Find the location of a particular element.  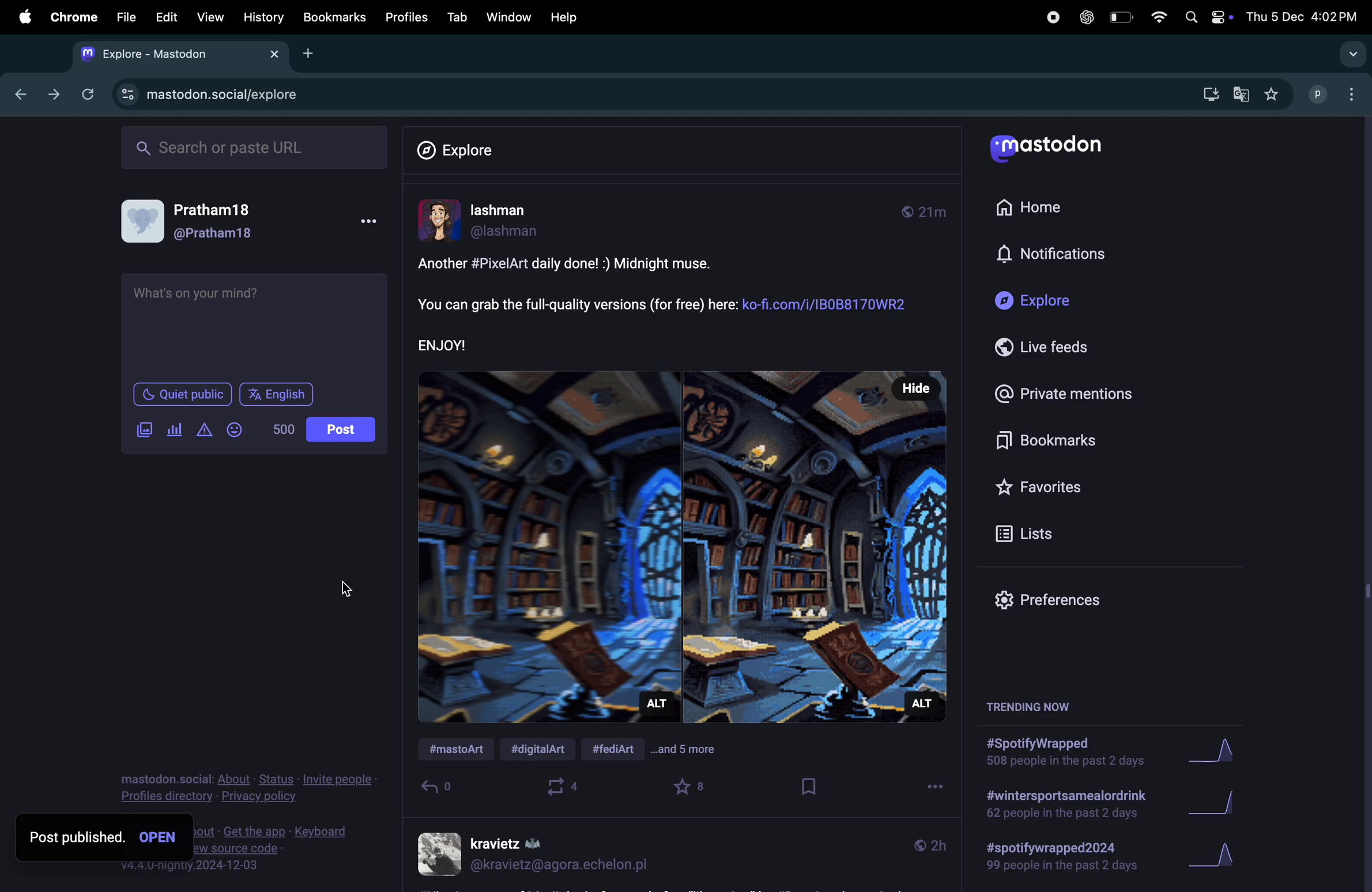

record is located at coordinates (1051, 18).